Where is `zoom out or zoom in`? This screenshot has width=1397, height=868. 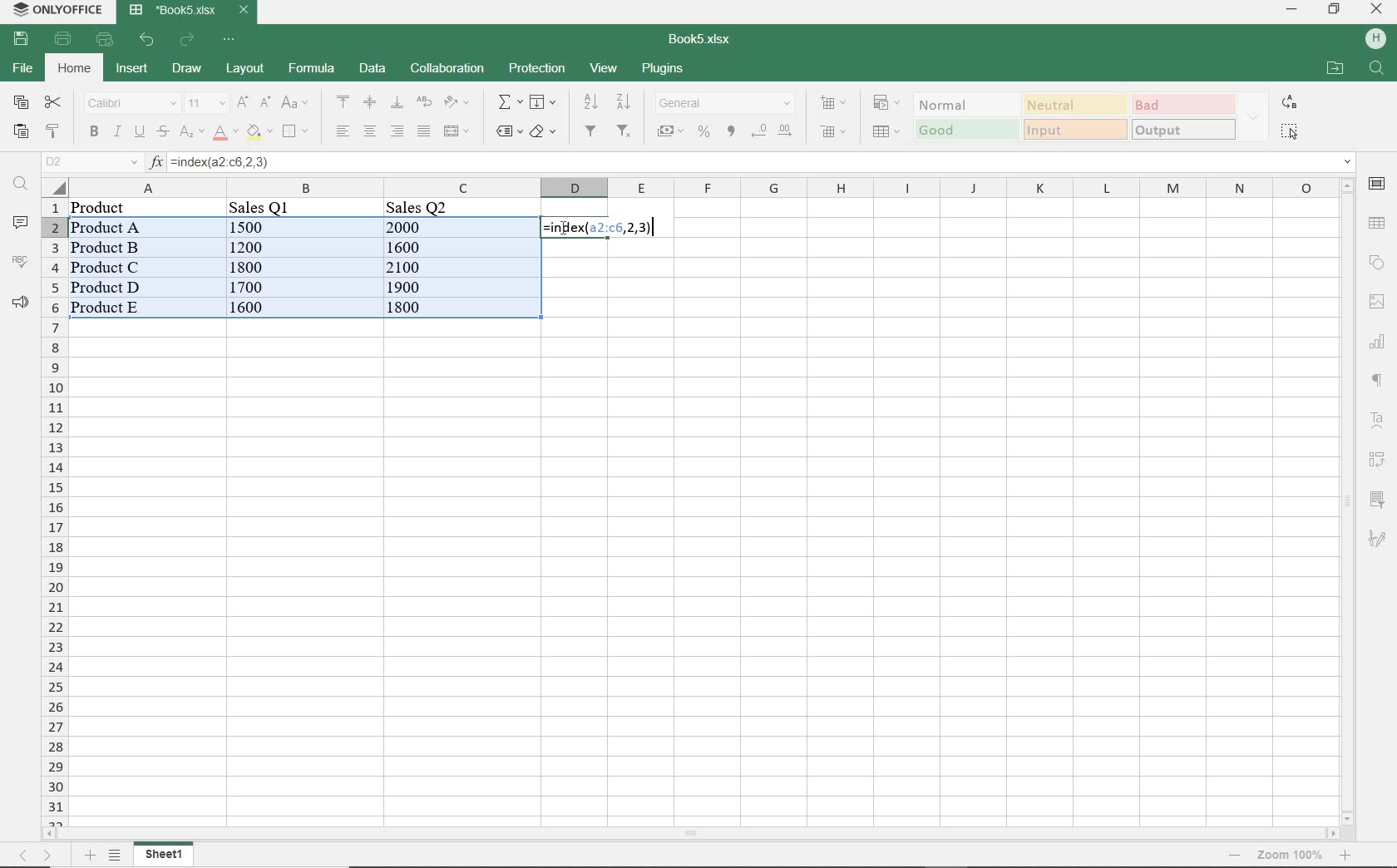 zoom out or zoom in is located at coordinates (1283, 856).